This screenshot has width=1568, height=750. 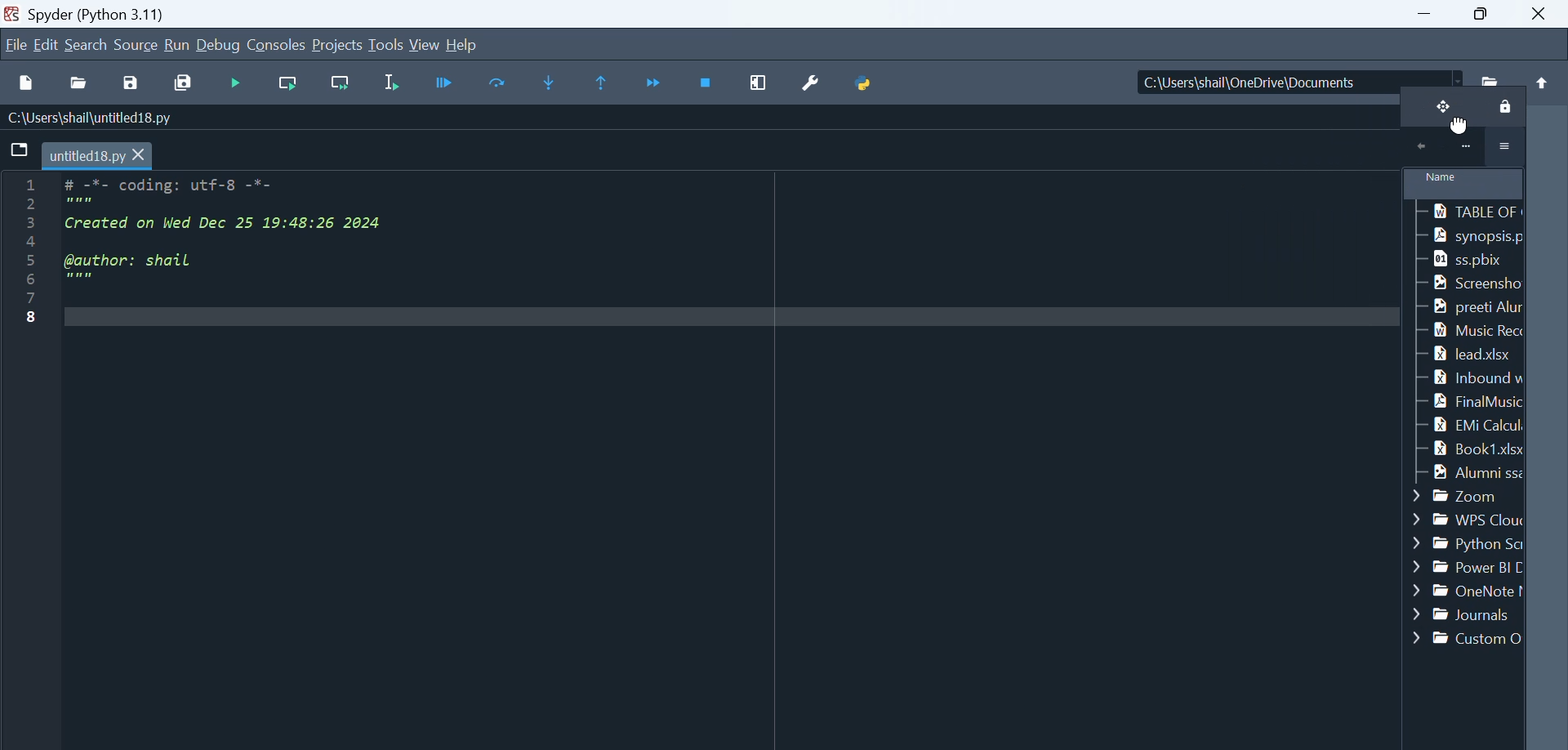 I want to click on lead xlsx.., so click(x=1468, y=351).